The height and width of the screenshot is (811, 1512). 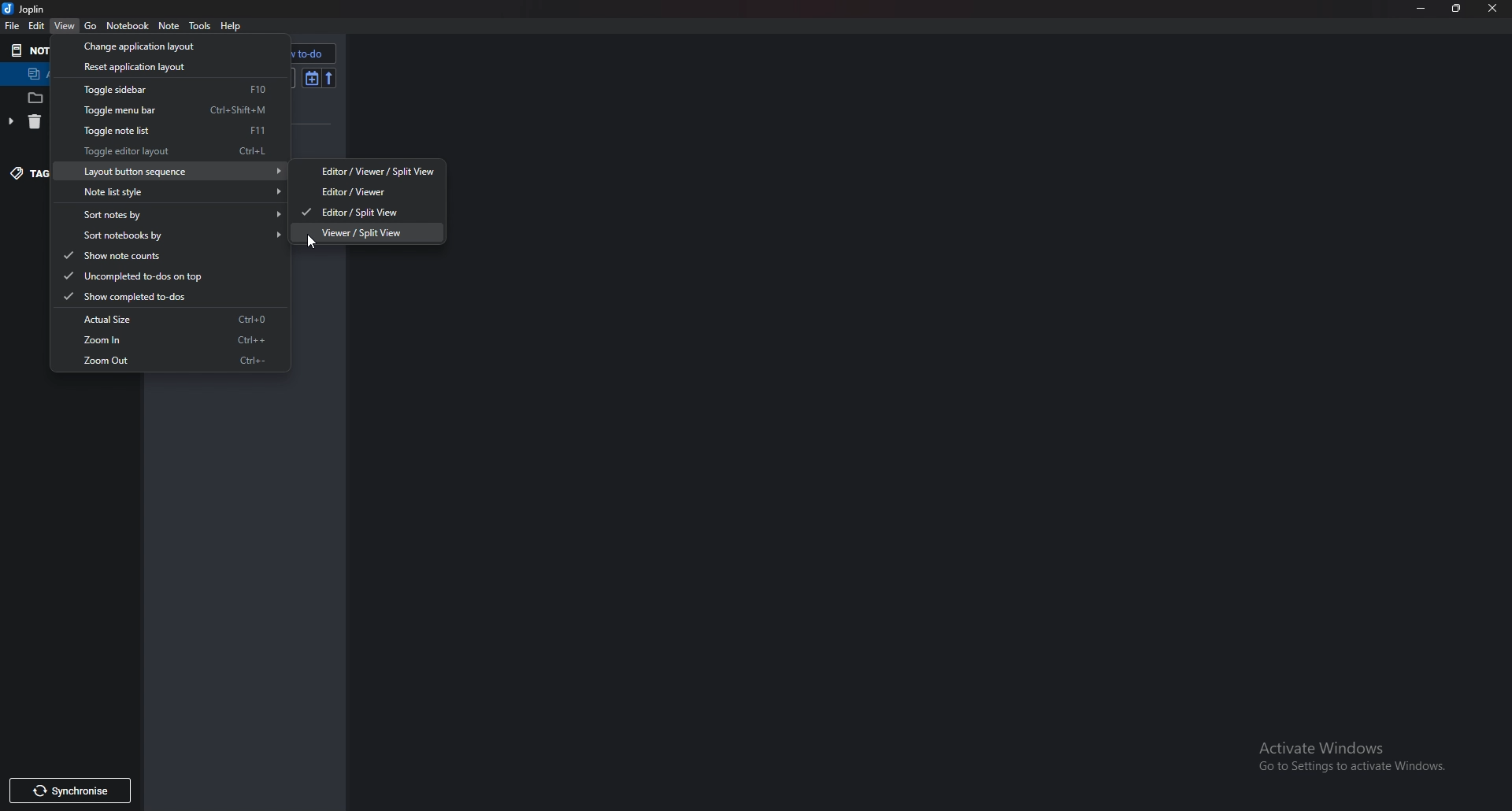 What do you see at coordinates (158, 275) in the screenshot?
I see `Uncompleted To dos on top` at bounding box center [158, 275].